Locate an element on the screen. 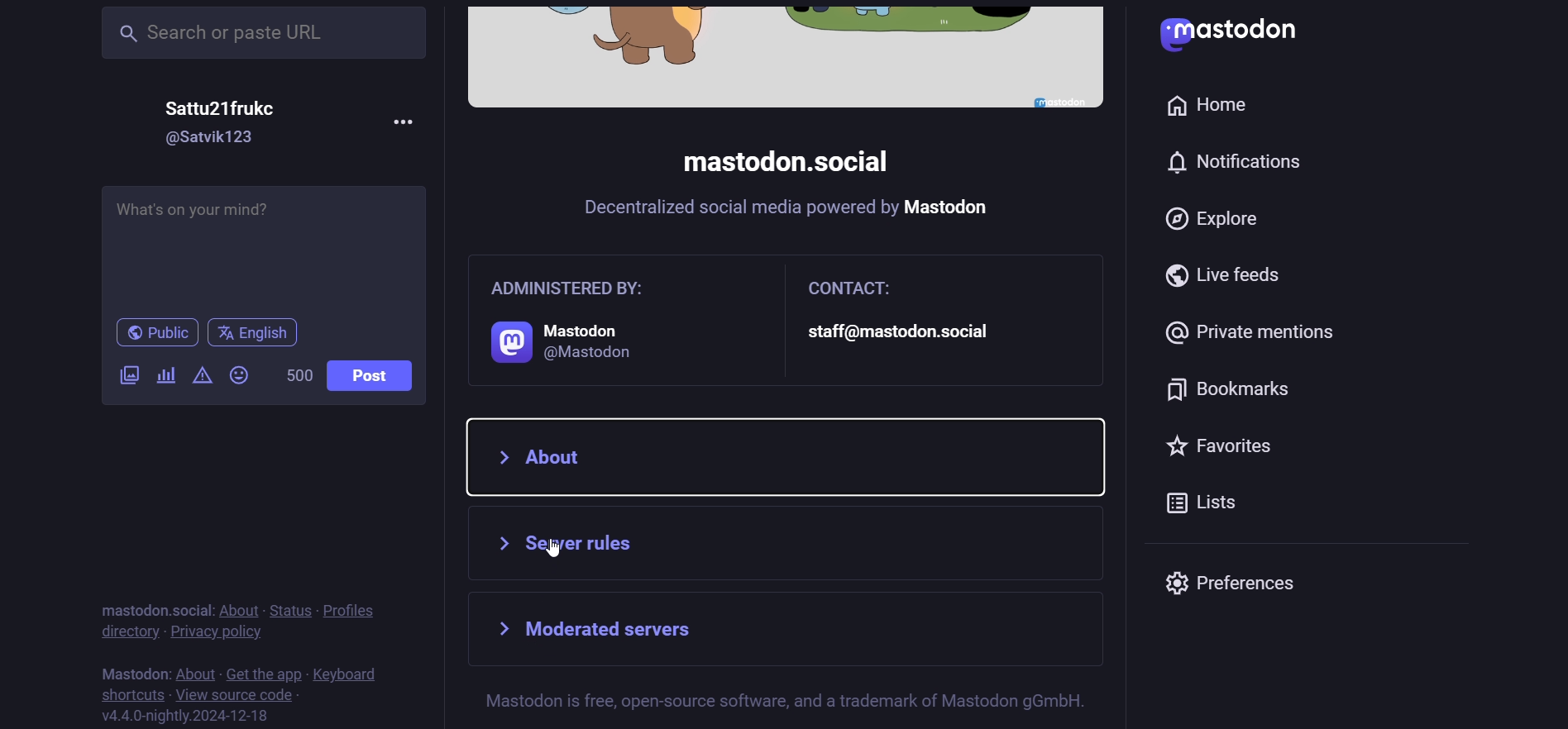 The height and width of the screenshot is (729, 1568). list is located at coordinates (1215, 507).